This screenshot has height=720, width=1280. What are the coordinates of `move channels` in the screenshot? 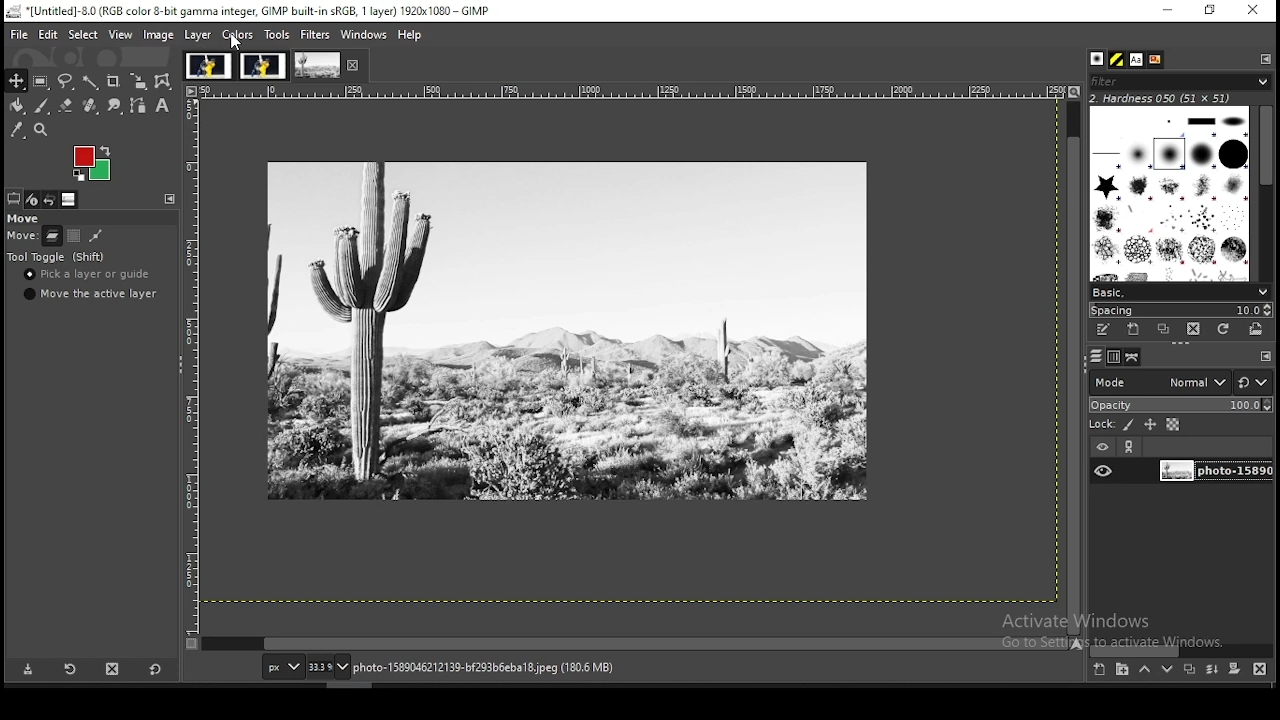 It's located at (74, 235).